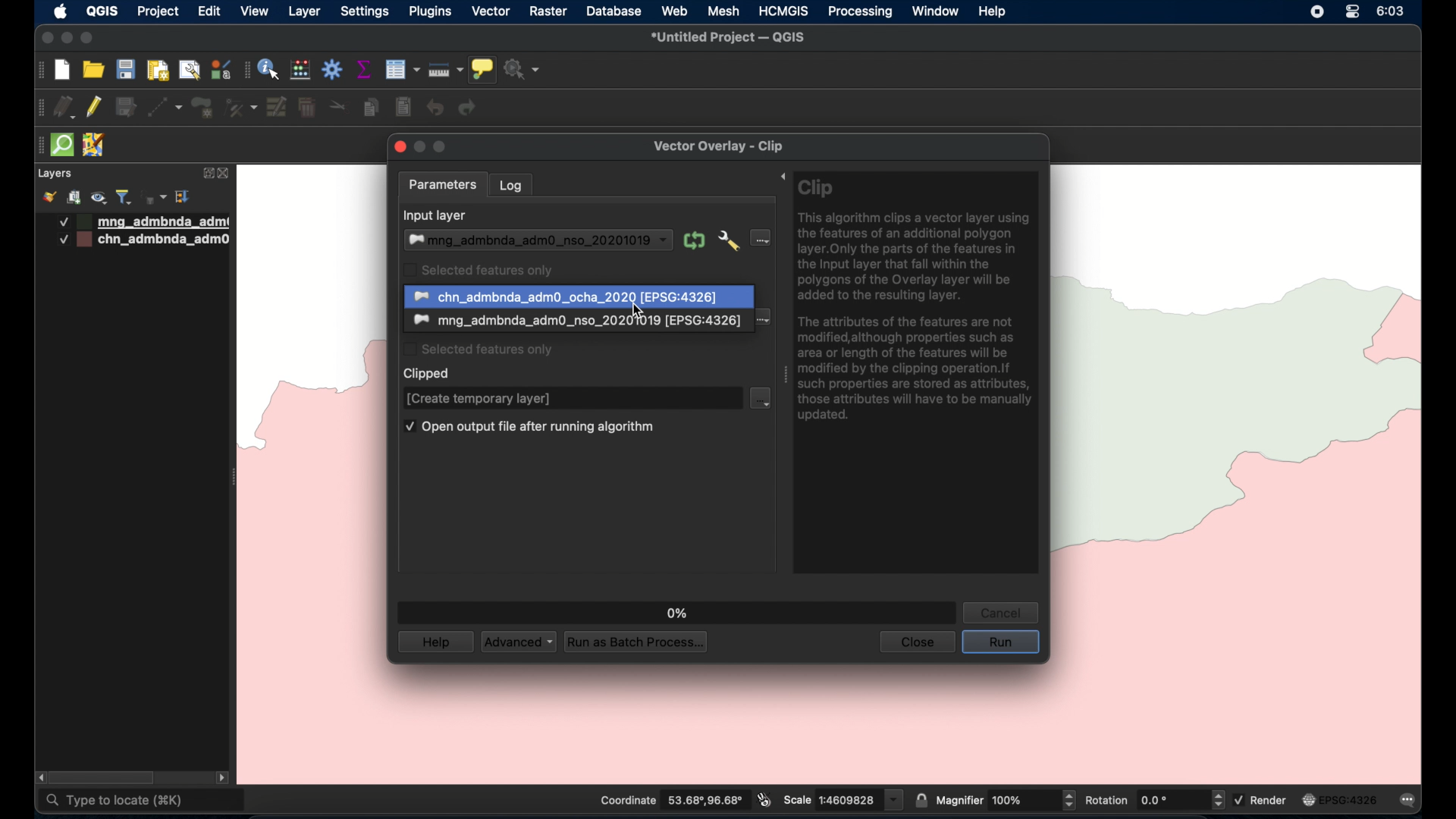  I want to click on redo, so click(468, 108).